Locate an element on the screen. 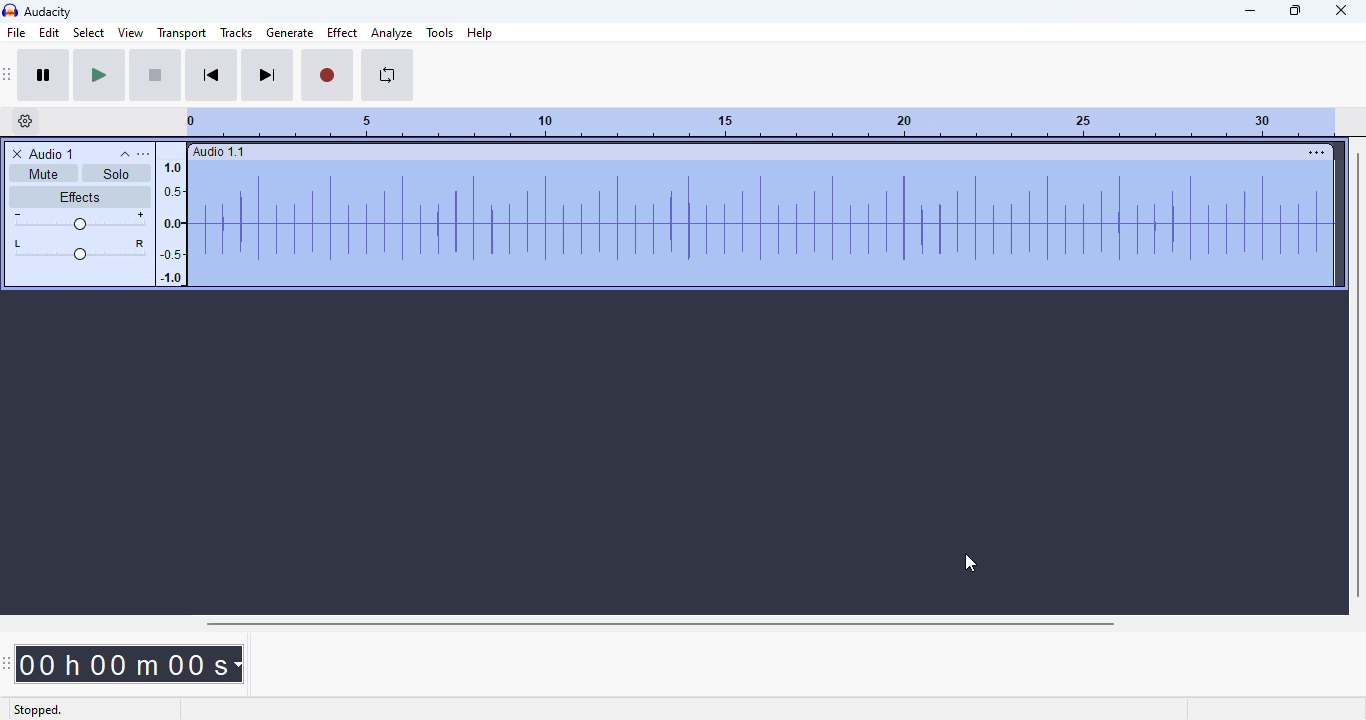 Image resolution: width=1366 pixels, height=720 pixels. play is located at coordinates (98, 76).